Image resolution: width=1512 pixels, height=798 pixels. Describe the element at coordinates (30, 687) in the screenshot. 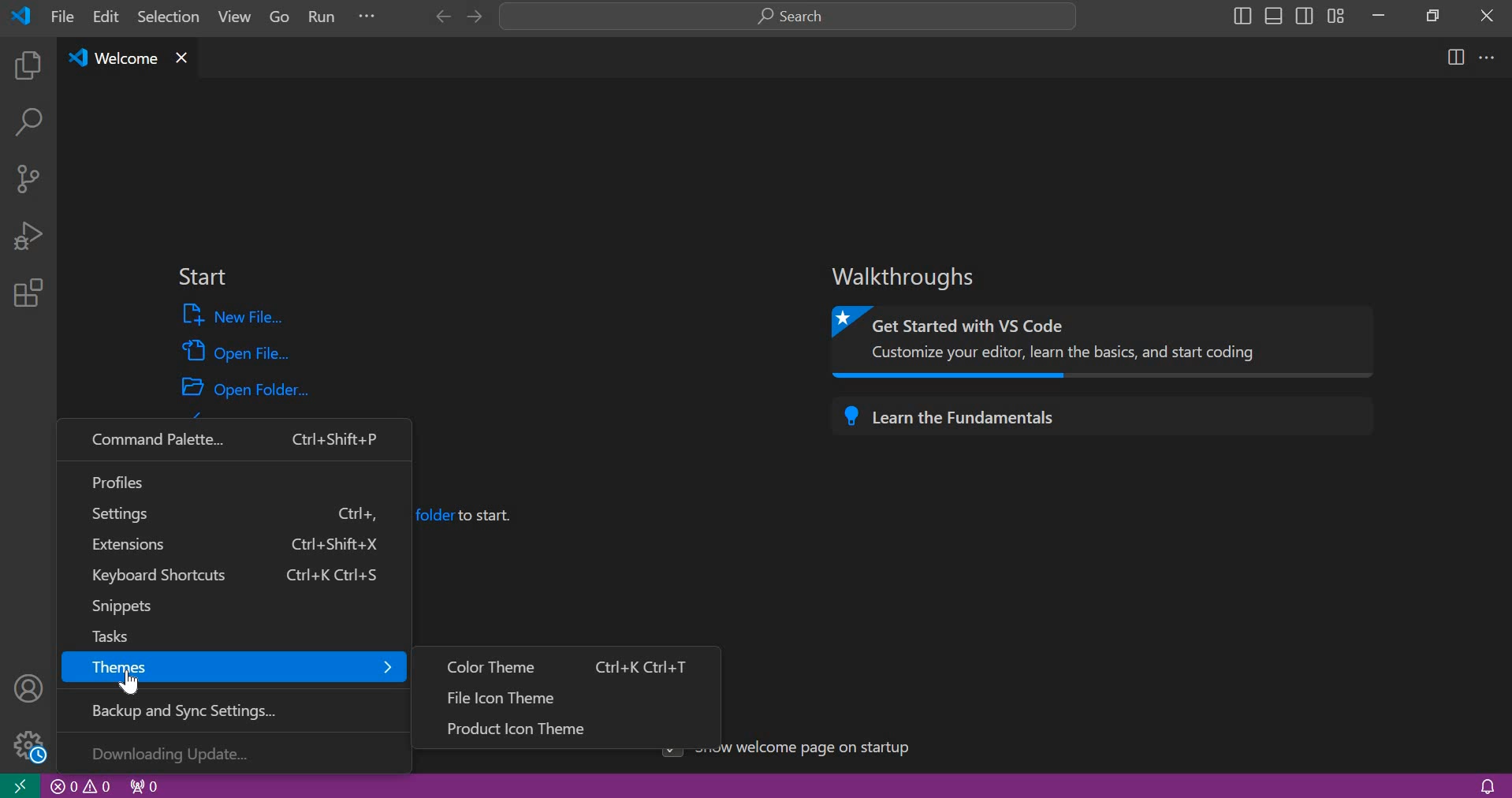

I see `accounts` at that location.